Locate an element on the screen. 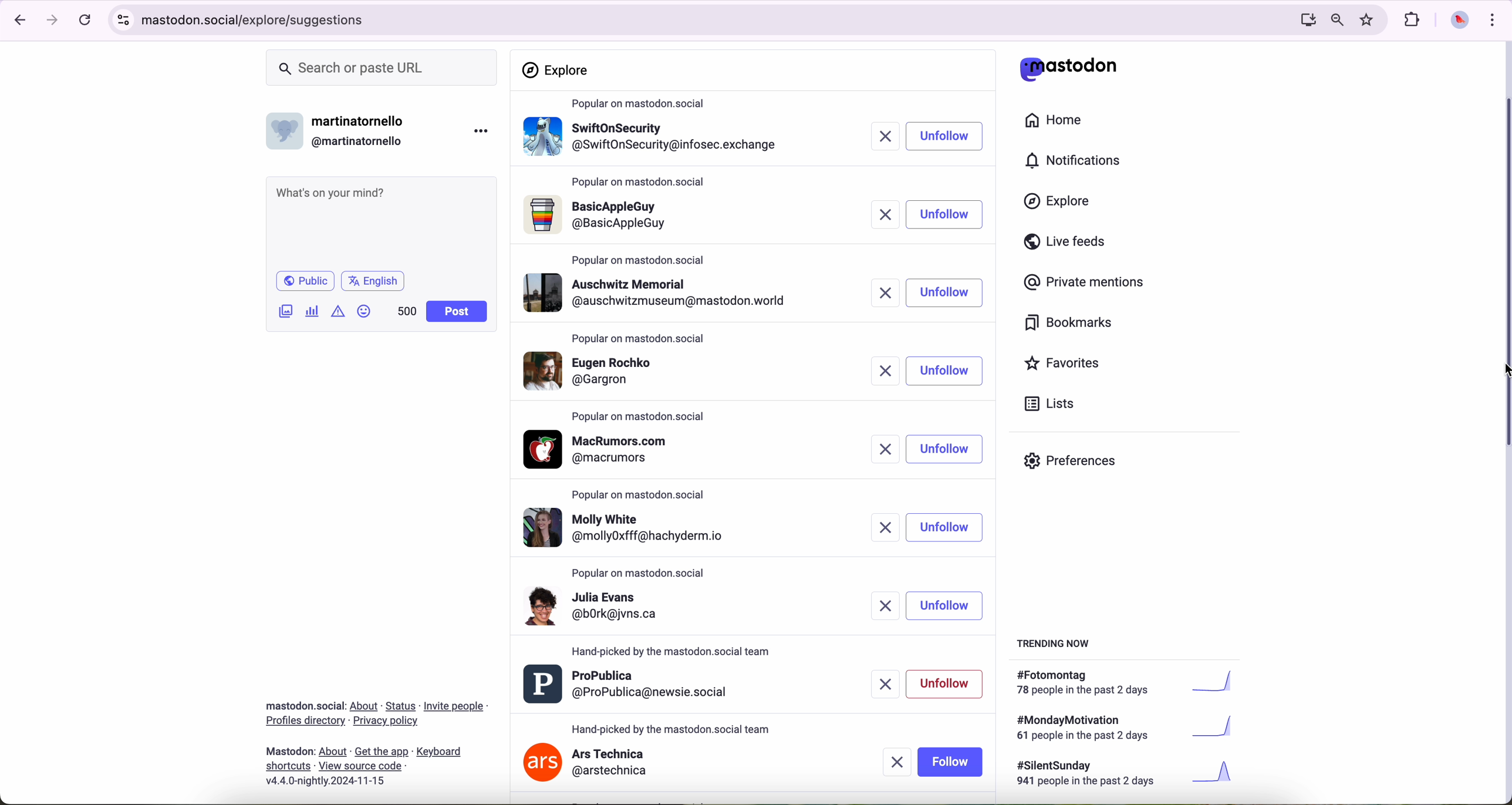 The image size is (1512, 805). unfollow is located at coordinates (944, 372).